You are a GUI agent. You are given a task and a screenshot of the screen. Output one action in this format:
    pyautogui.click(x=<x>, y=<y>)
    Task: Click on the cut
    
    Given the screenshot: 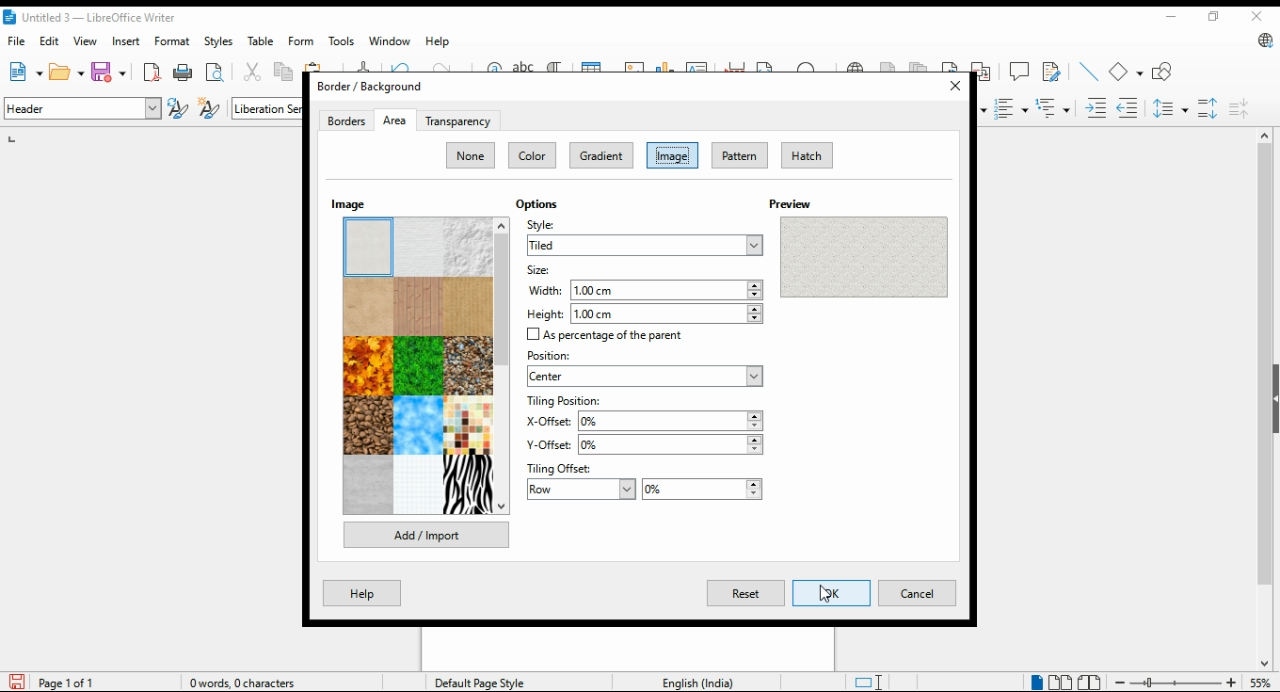 What is the action you would take?
    pyautogui.click(x=254, y=72)
    